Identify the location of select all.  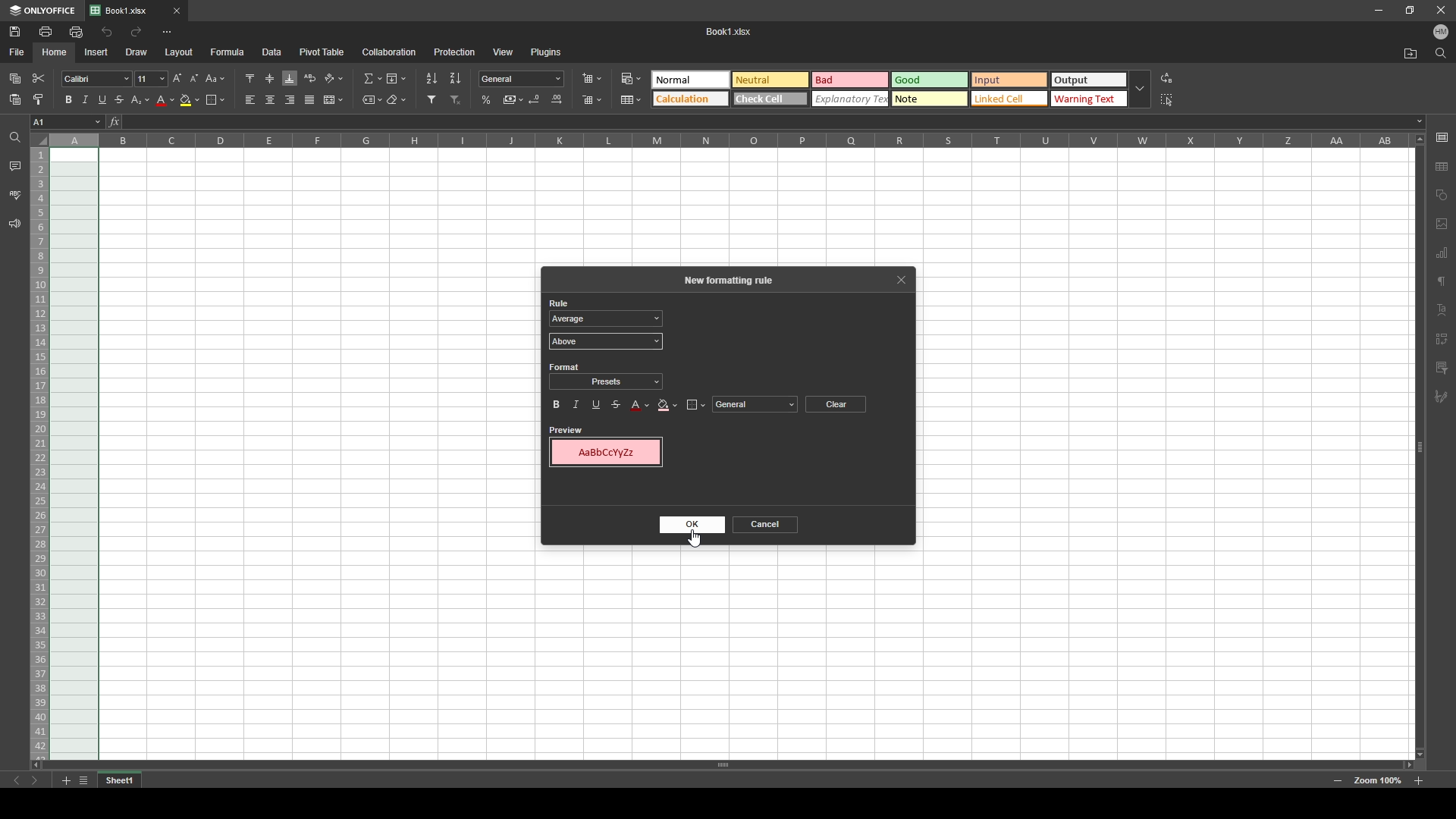
(1169, 99).